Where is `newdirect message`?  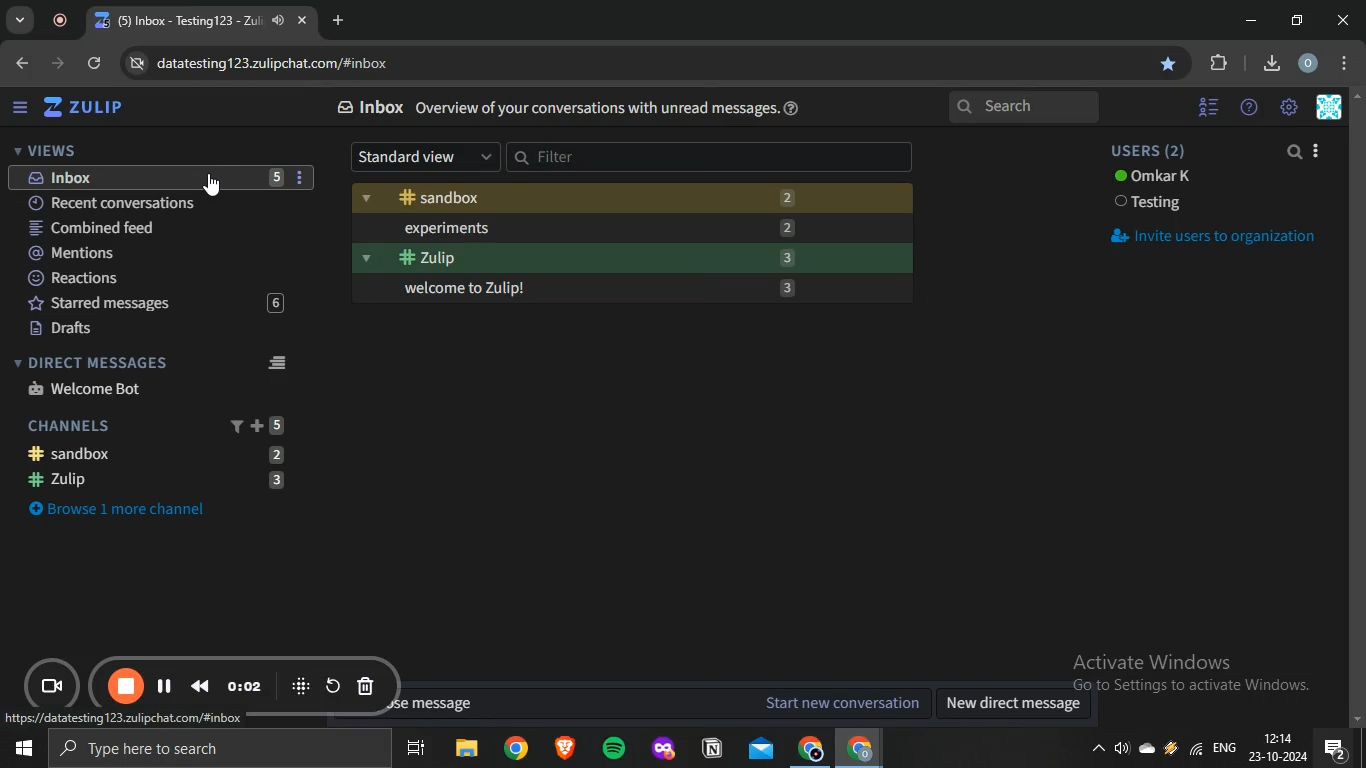
newdirect message is located at coordinates (1019, 705).